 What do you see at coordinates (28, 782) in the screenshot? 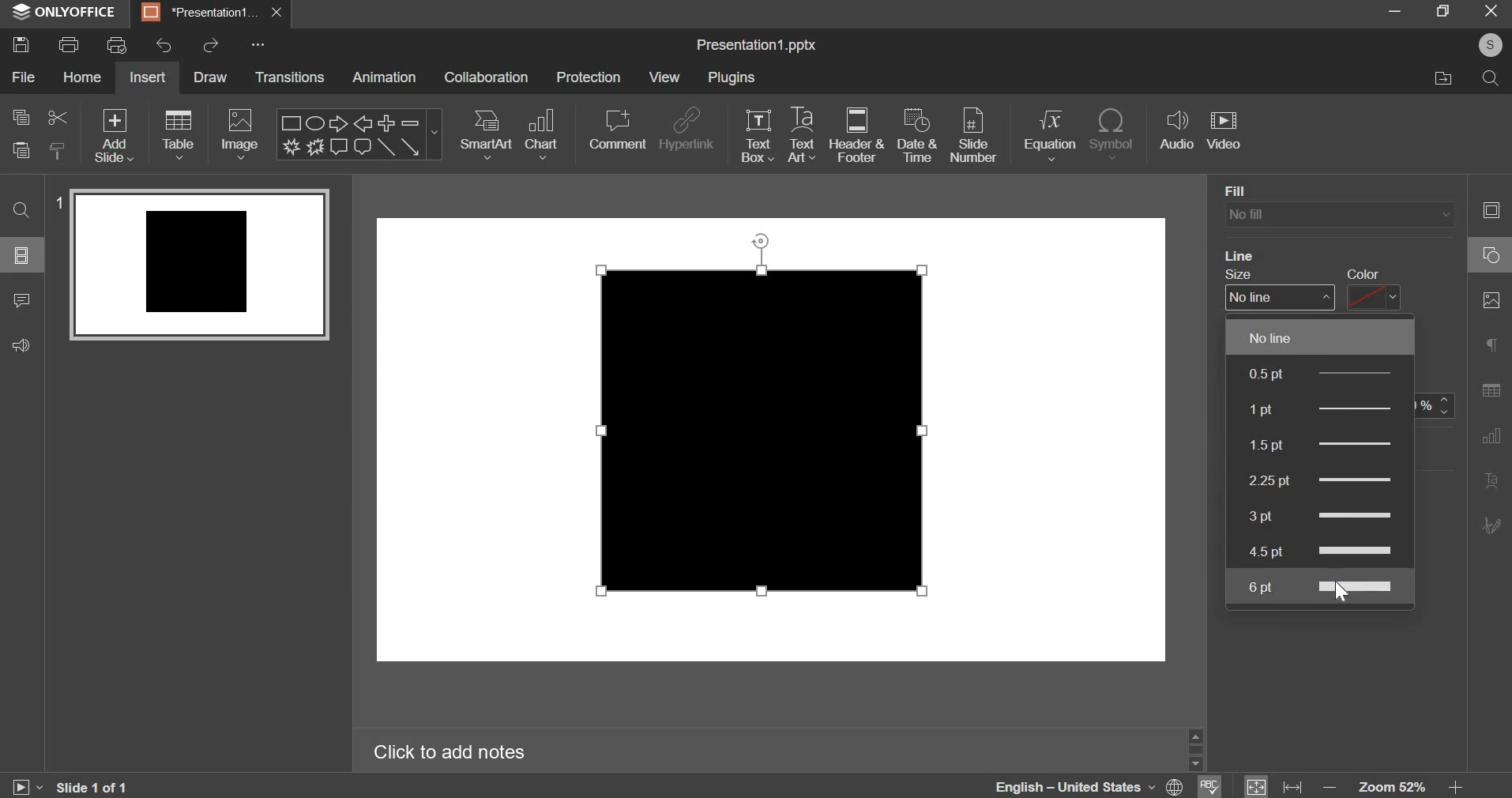
I see `Play button` at bounding box center [28, 782].